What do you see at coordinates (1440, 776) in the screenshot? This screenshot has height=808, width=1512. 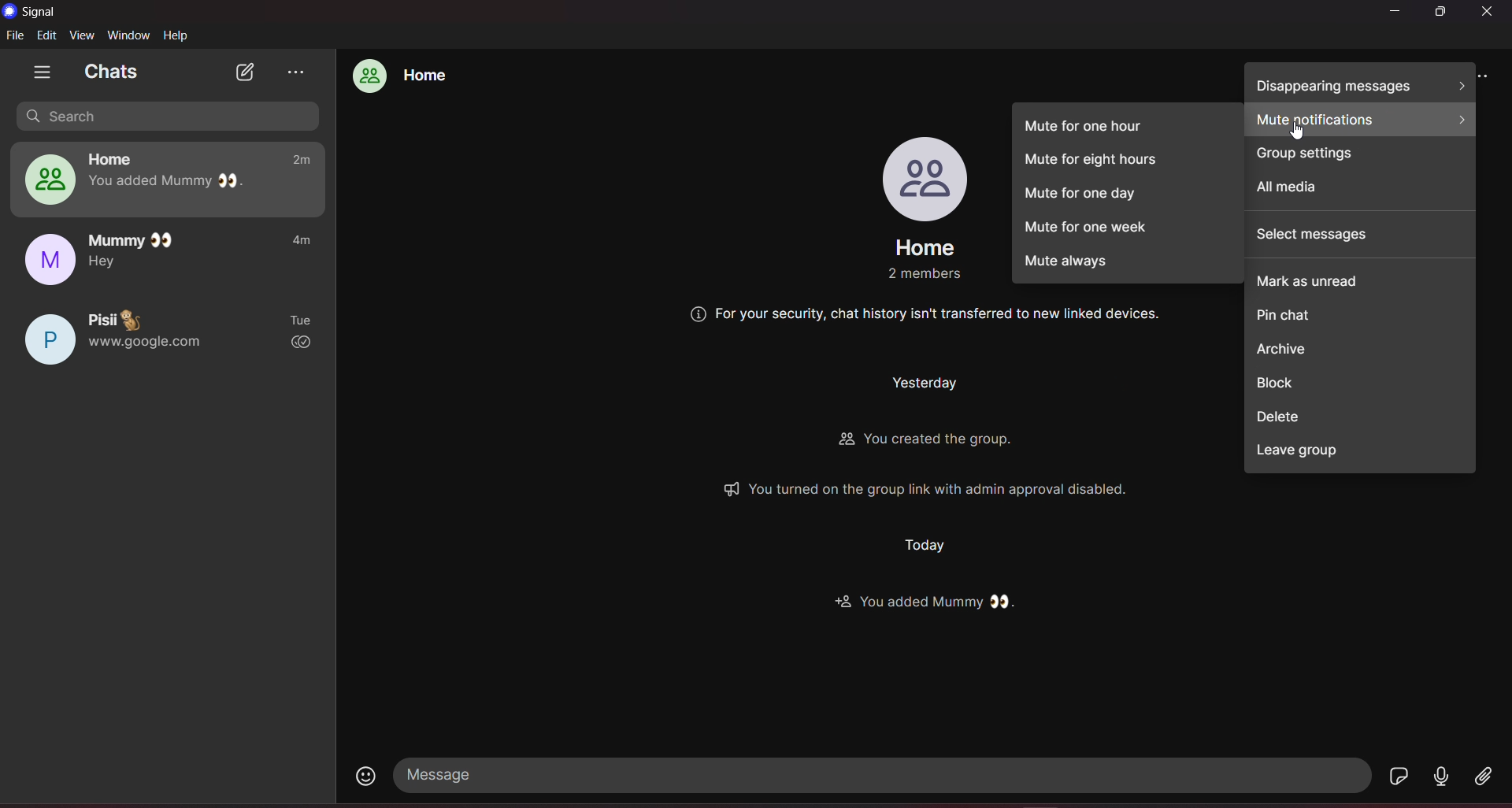 I see `voice message` at bounding box center [1440, 776].